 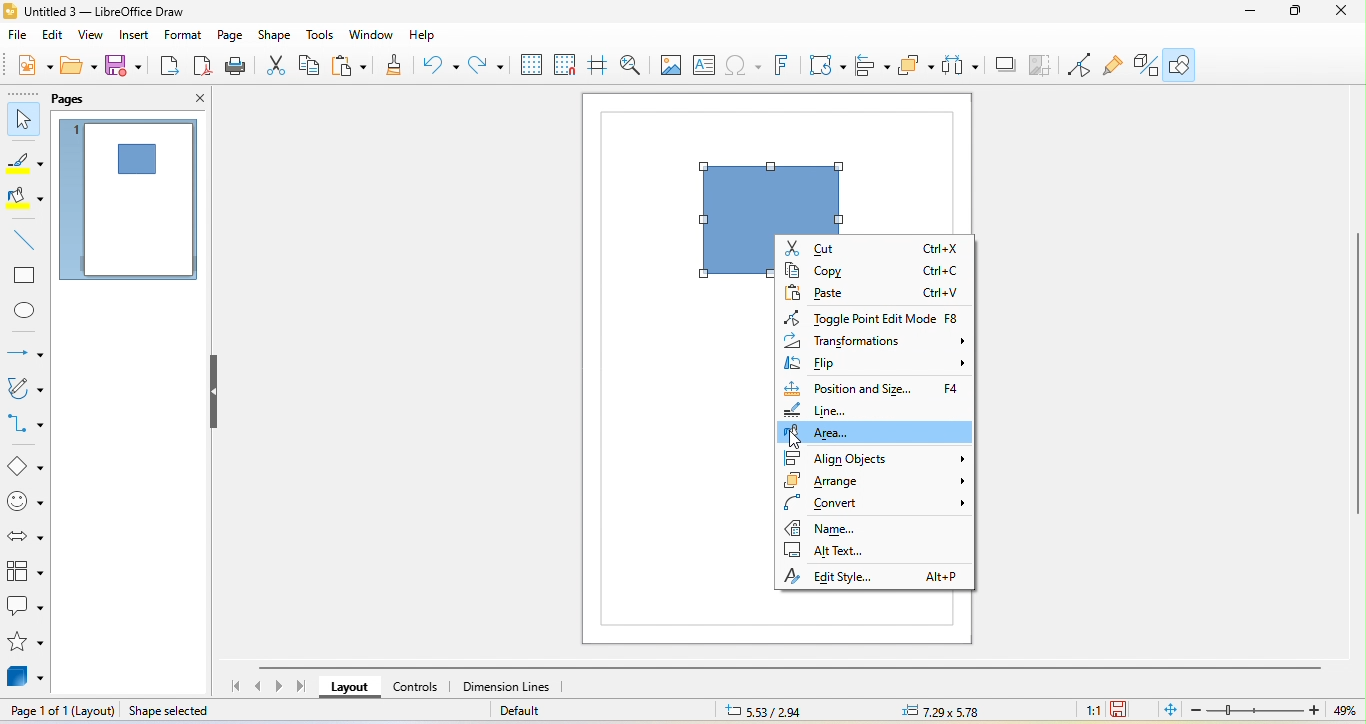 What do you see at coordinates (188, 100) in the screenshot?
I see `close` at bounding box center [188, 100].